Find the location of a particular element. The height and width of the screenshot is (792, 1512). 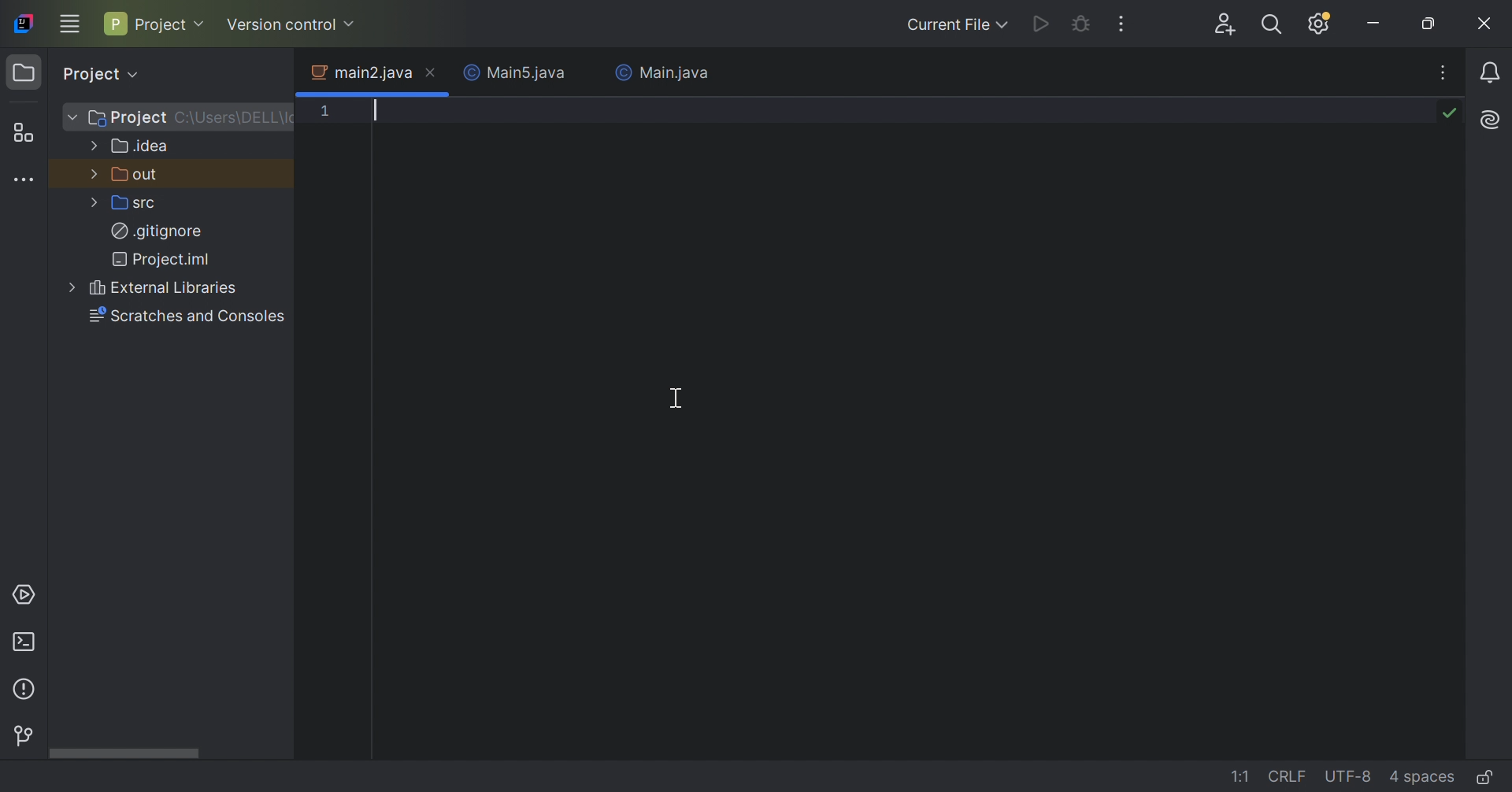

Version control is located at coordinates (293, 25).